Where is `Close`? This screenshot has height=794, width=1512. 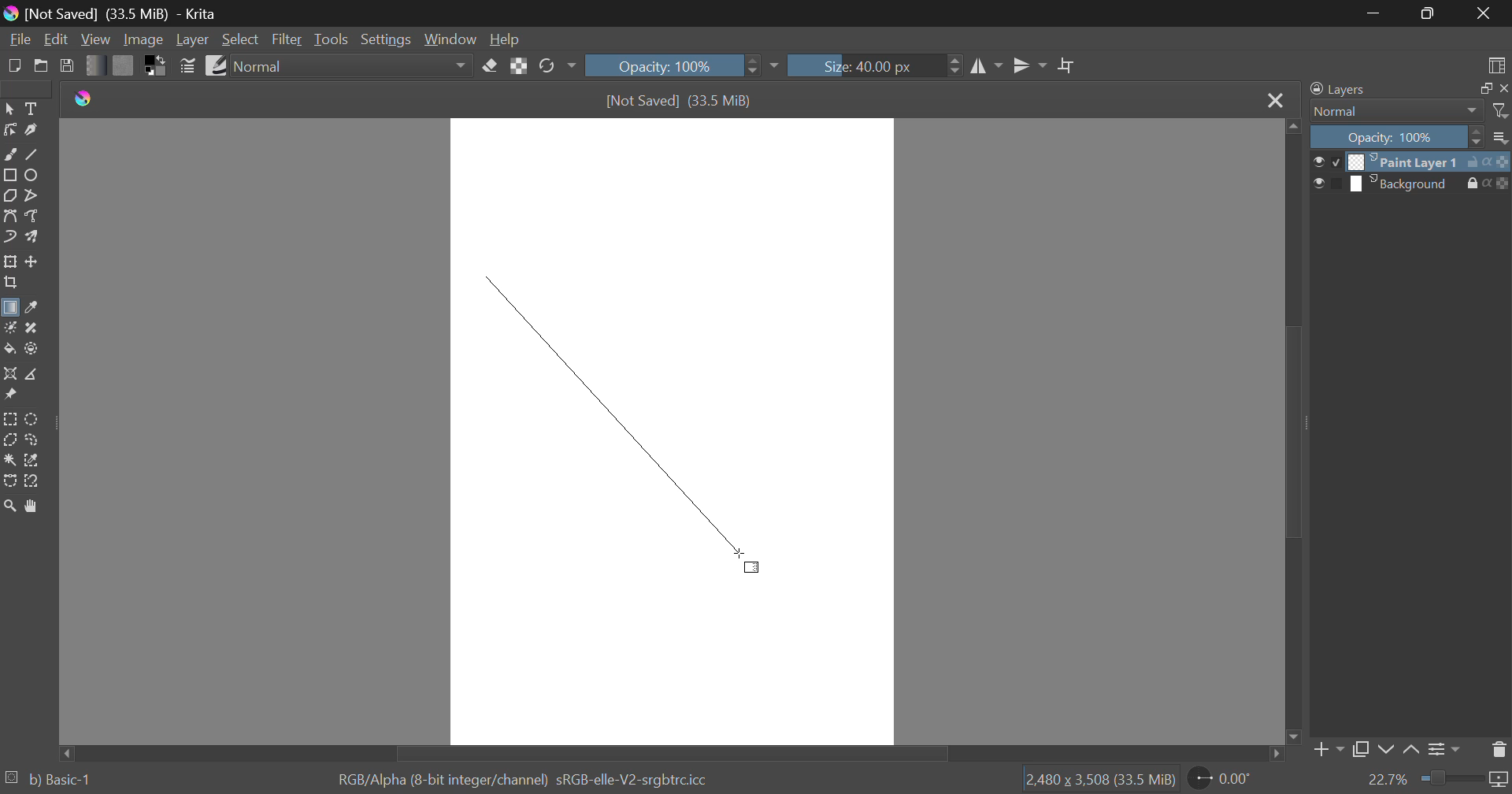 Close is located at coordinates (1274, 100).